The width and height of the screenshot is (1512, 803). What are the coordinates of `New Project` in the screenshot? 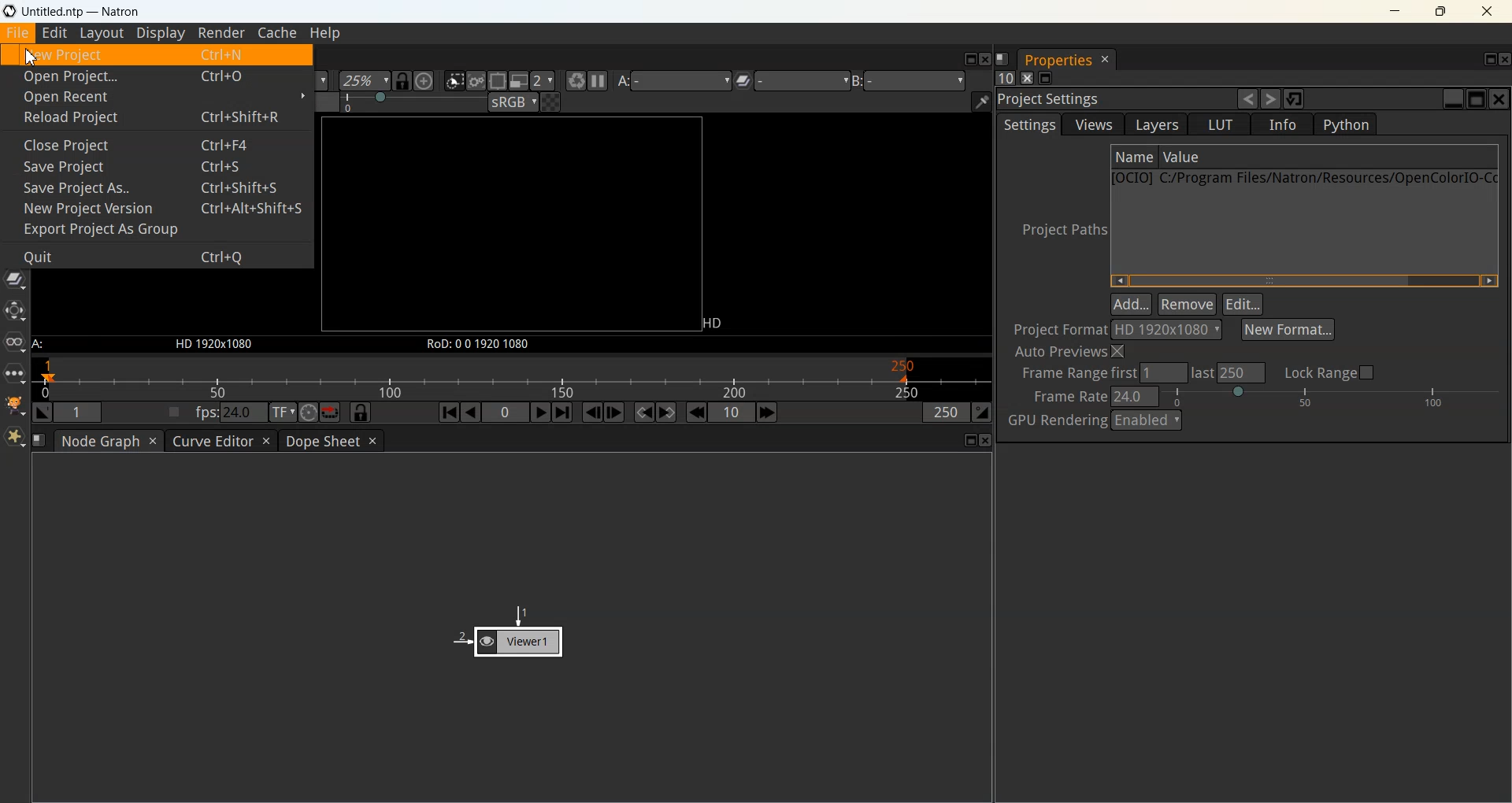 It's located at (156, 55).